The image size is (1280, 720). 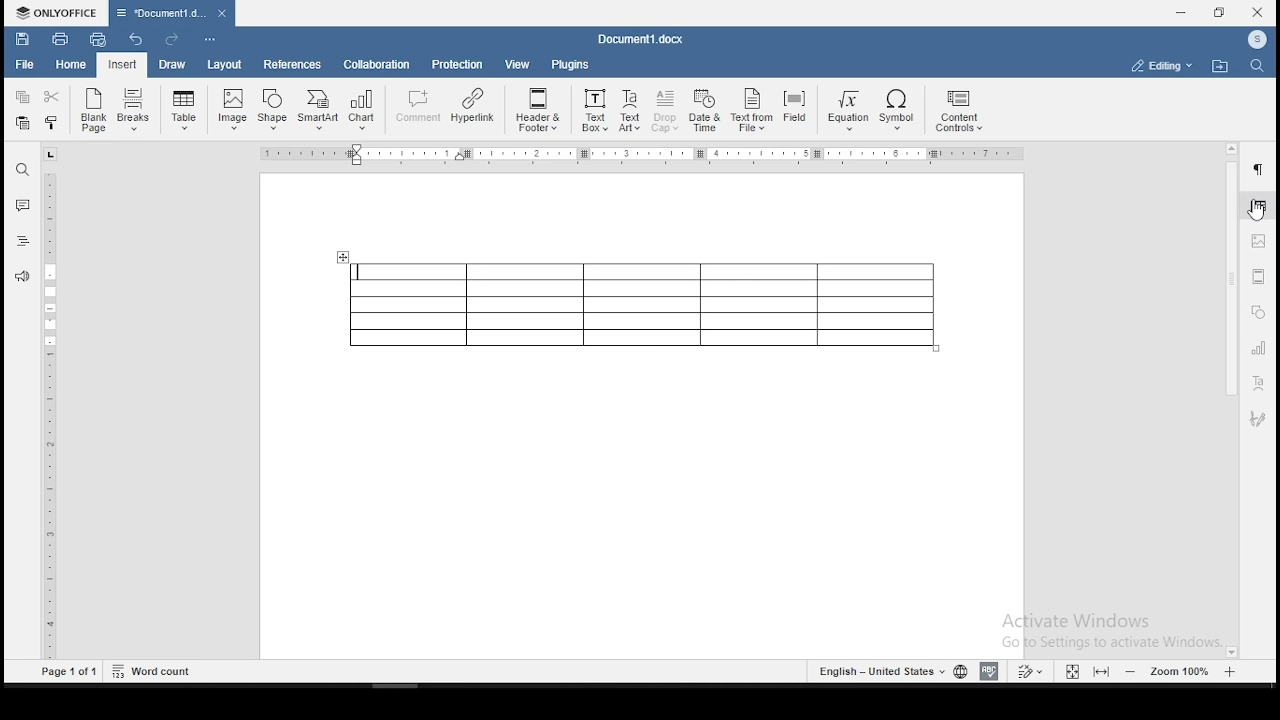 What do you see at coordinates (184, 110) in the screenshot?
I see `insert a table` at bounding box center [184, 110].